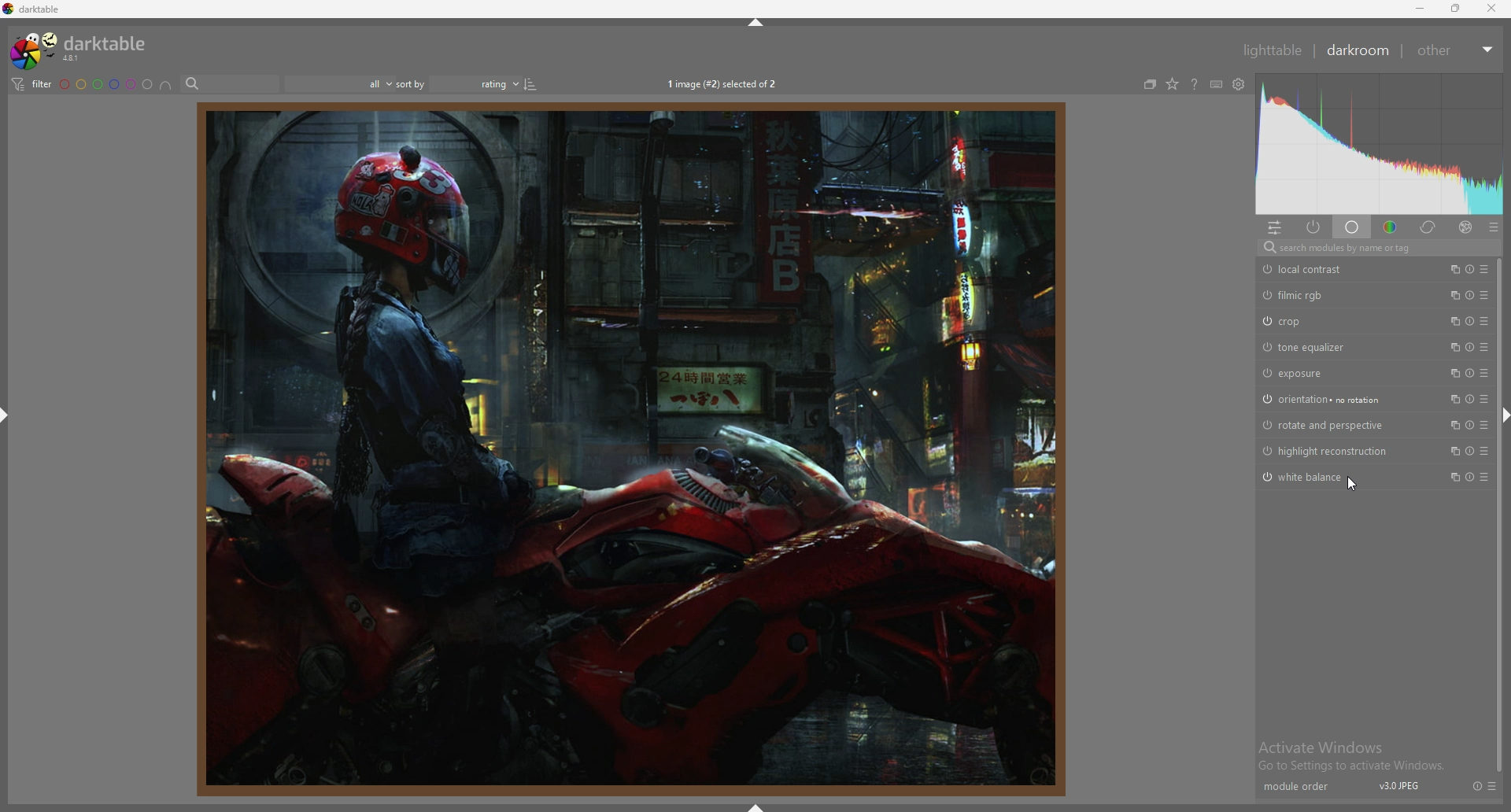 Image resolution: width=1511 pixels, height=812 pixels. What do you see at coordinates (230, 84) in the screenshot?
I see `search bar` at bounding box center [230, 84].